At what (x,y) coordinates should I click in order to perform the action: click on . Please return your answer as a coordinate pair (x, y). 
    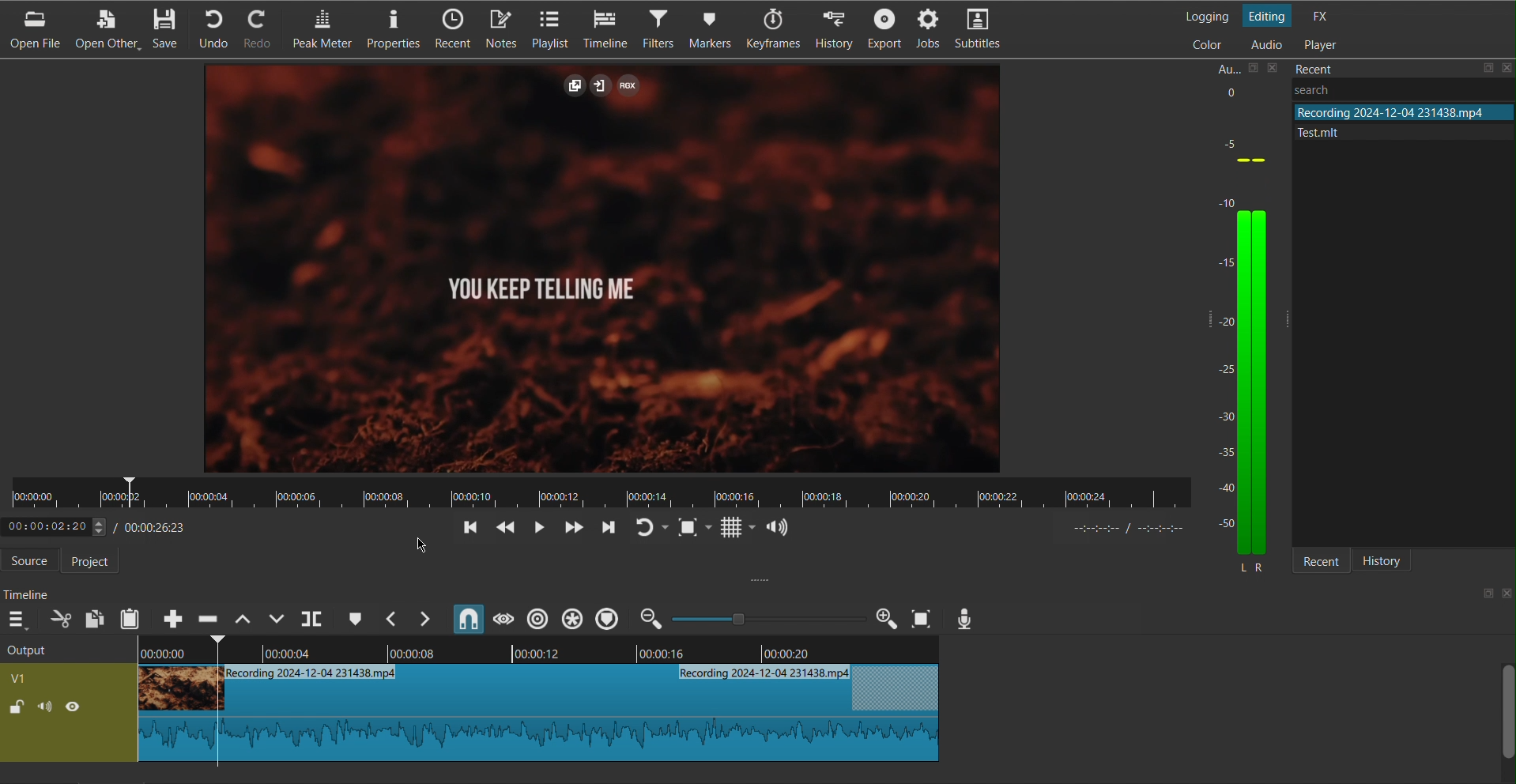
    Looking at the image, I should click on (1339, 89).